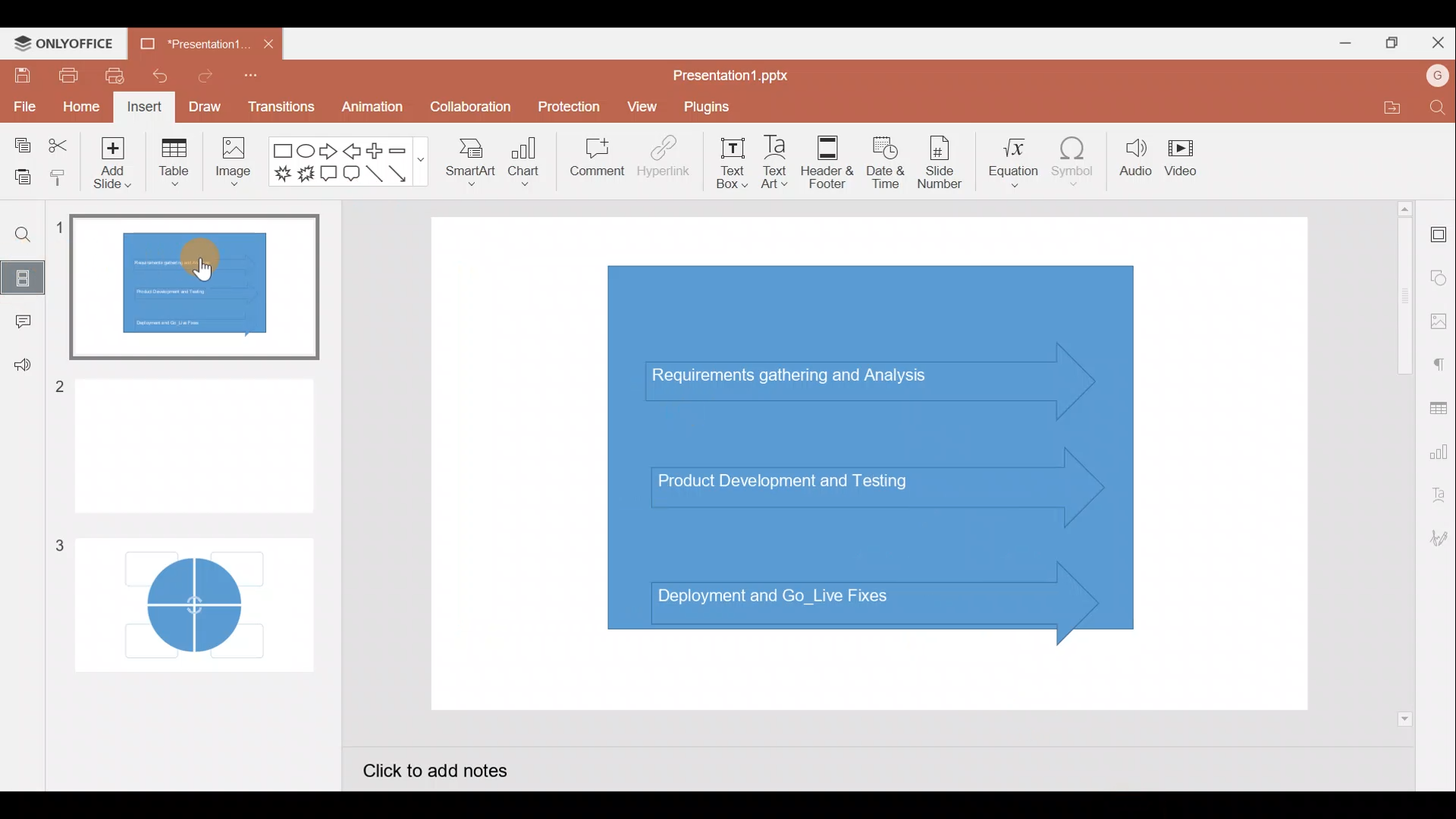 The height and width of the screenshot is (819, 1456). I want to click on Feedback & support, so click(20, 370).